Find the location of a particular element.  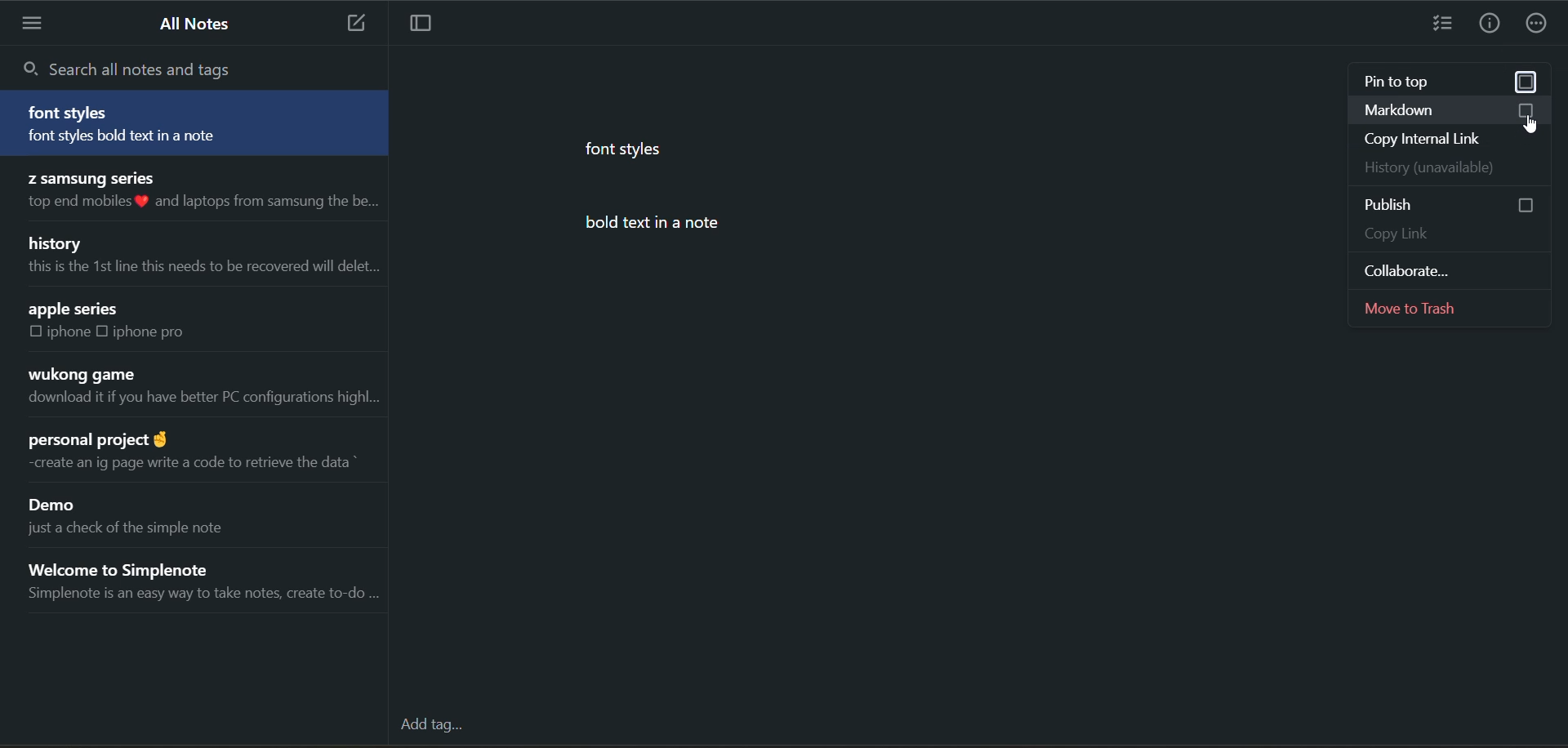

info is located at coordinates (1489, 25).